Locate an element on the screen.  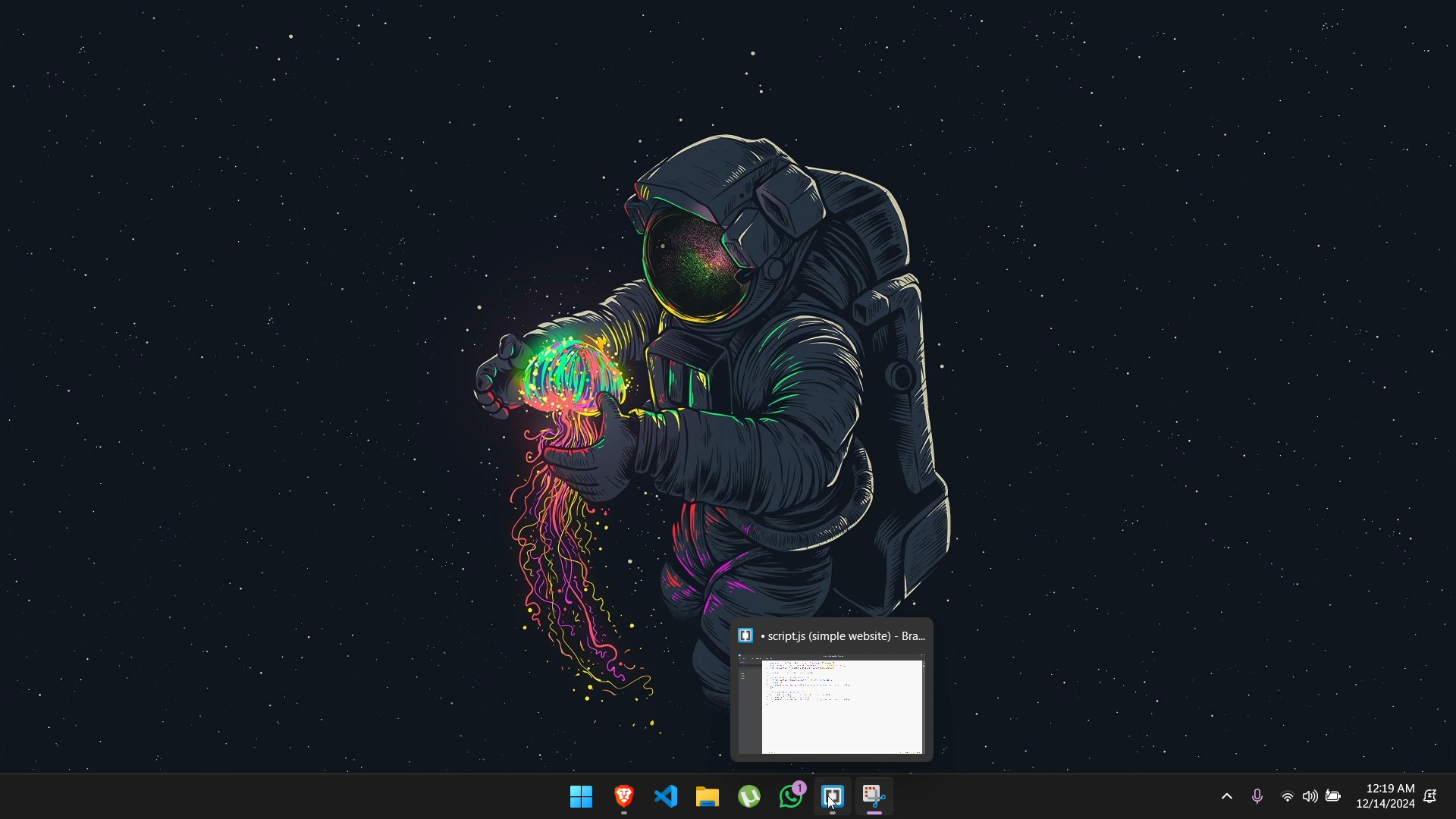
notifications is located at coordinates (1430, 796).